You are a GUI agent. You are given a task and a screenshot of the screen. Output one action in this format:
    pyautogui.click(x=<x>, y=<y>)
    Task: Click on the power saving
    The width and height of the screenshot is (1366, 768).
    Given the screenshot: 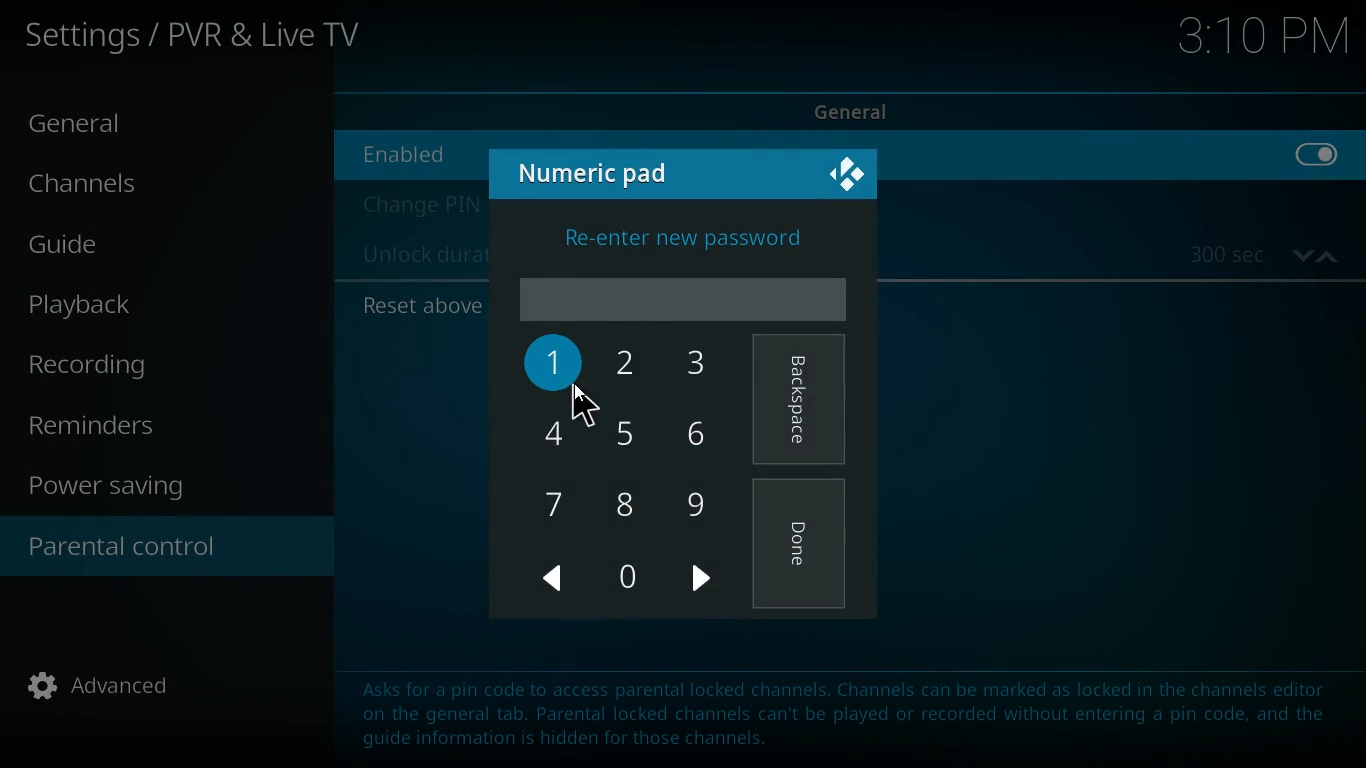 What is the action you would take?
    pyautogui.click(x=119, y=489)
    